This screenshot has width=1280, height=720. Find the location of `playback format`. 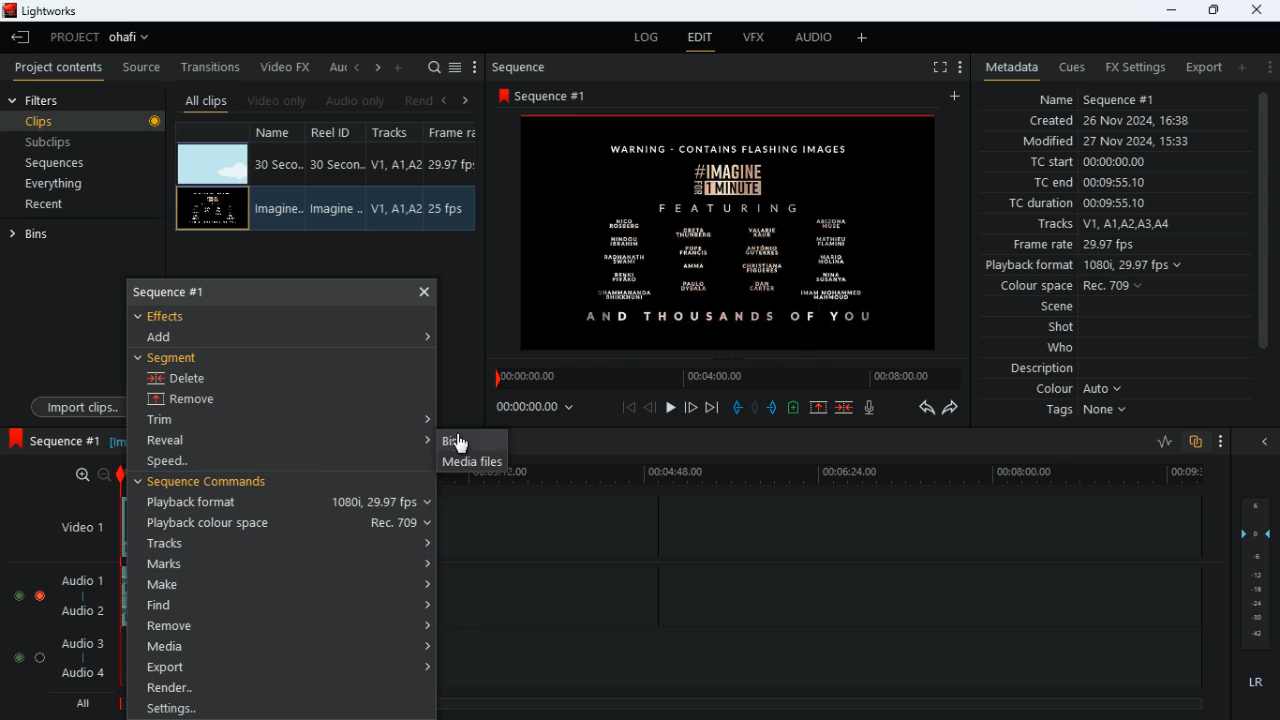

playback format is located at coordinates (286, 503).